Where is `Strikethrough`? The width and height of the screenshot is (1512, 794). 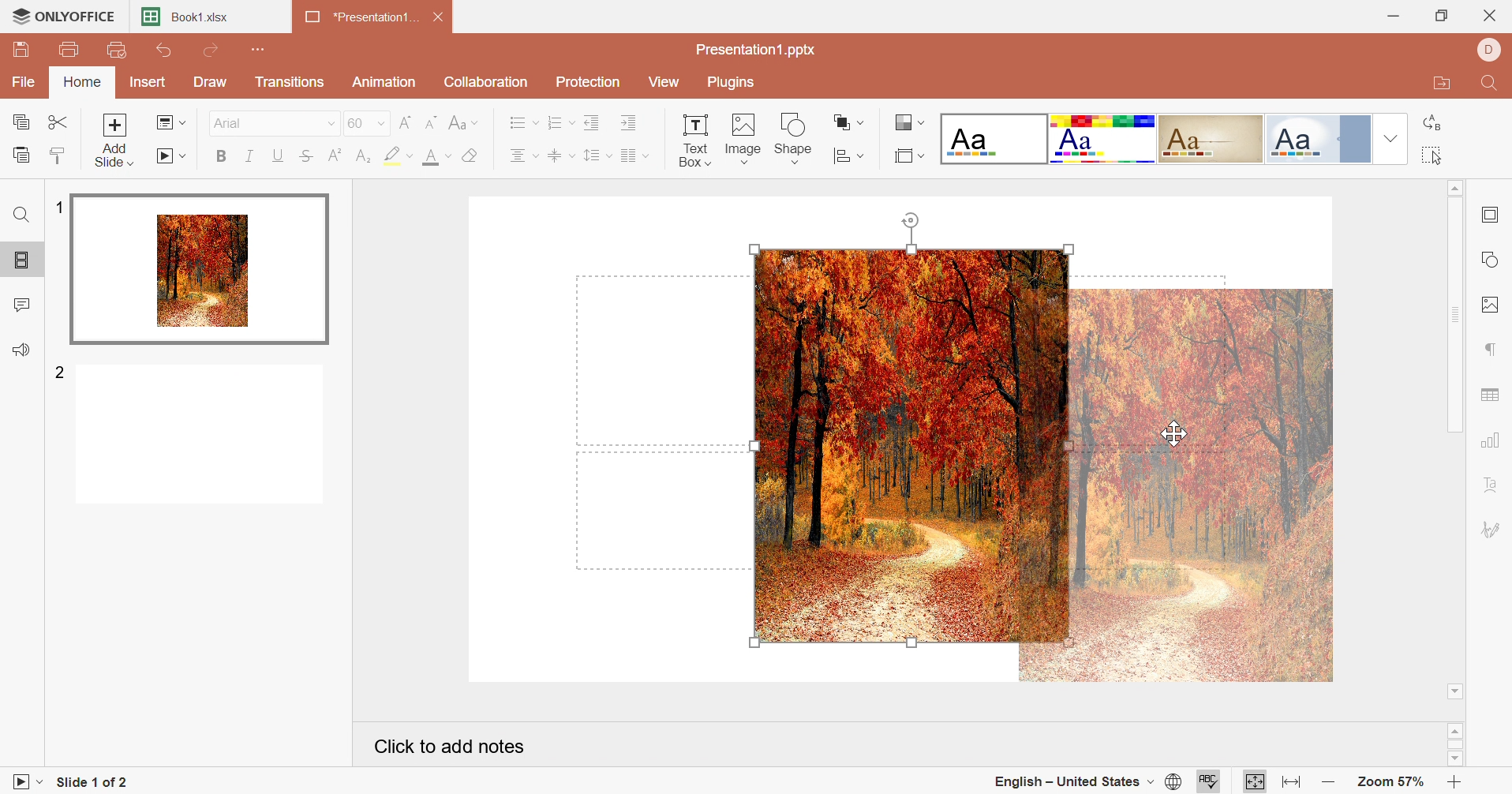 Strikethrough is located at coordinates (305, 158).